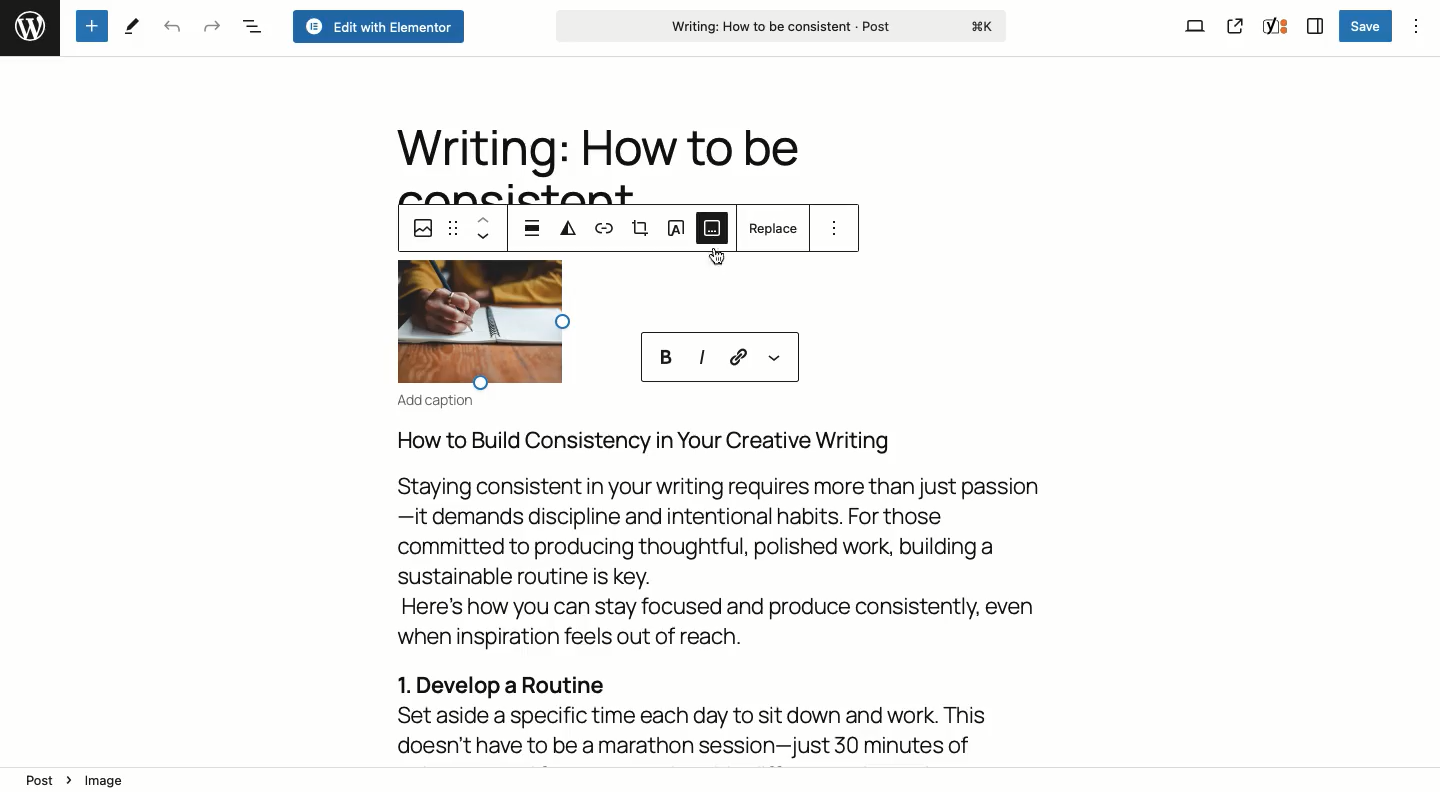  What do you see at coordinates (570, 229) in the screenshot?
I see `Duotone filter` at bounding box center [570, 229].